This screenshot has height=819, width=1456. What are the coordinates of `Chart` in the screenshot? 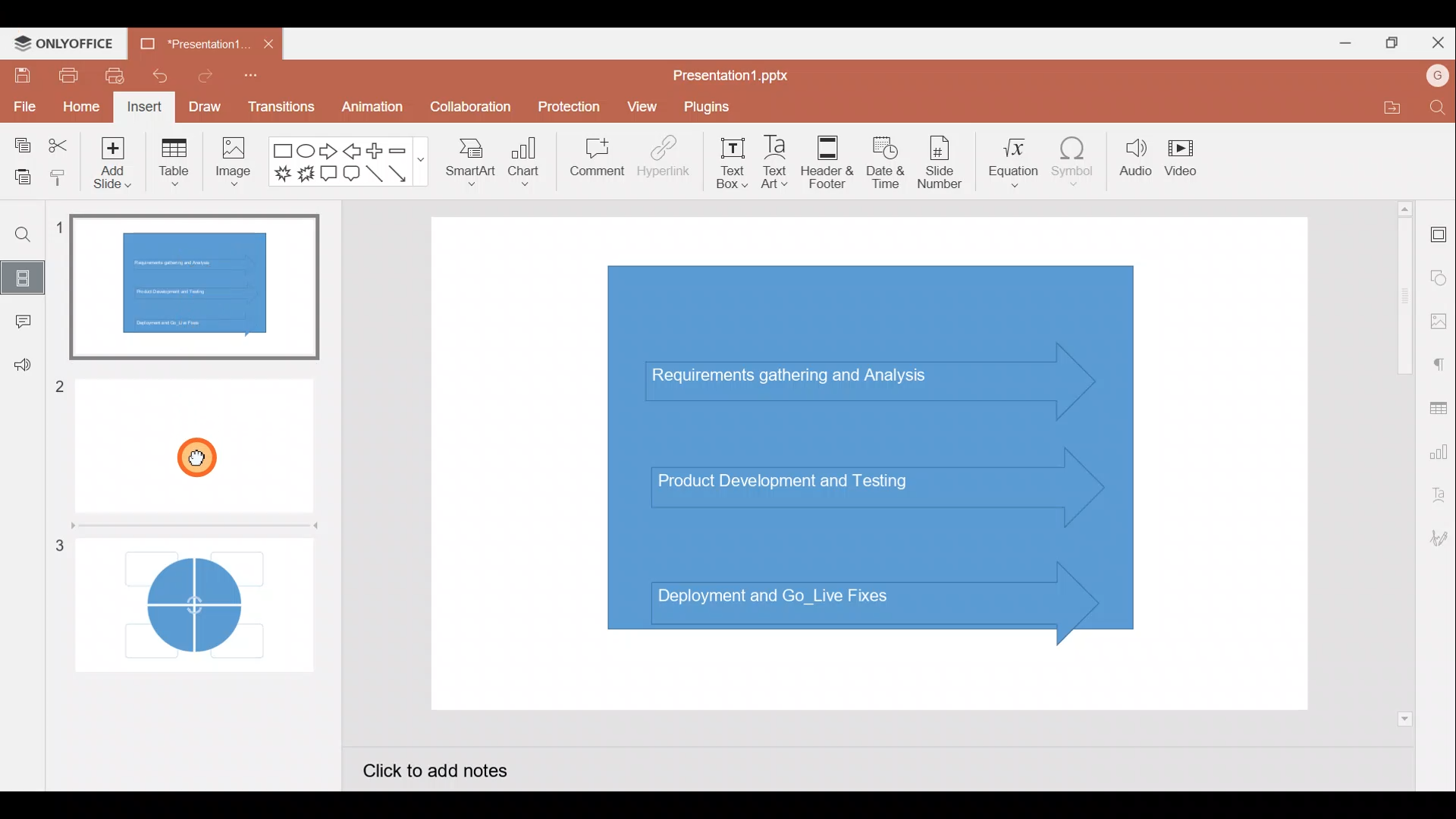 It's located at (528, 166).